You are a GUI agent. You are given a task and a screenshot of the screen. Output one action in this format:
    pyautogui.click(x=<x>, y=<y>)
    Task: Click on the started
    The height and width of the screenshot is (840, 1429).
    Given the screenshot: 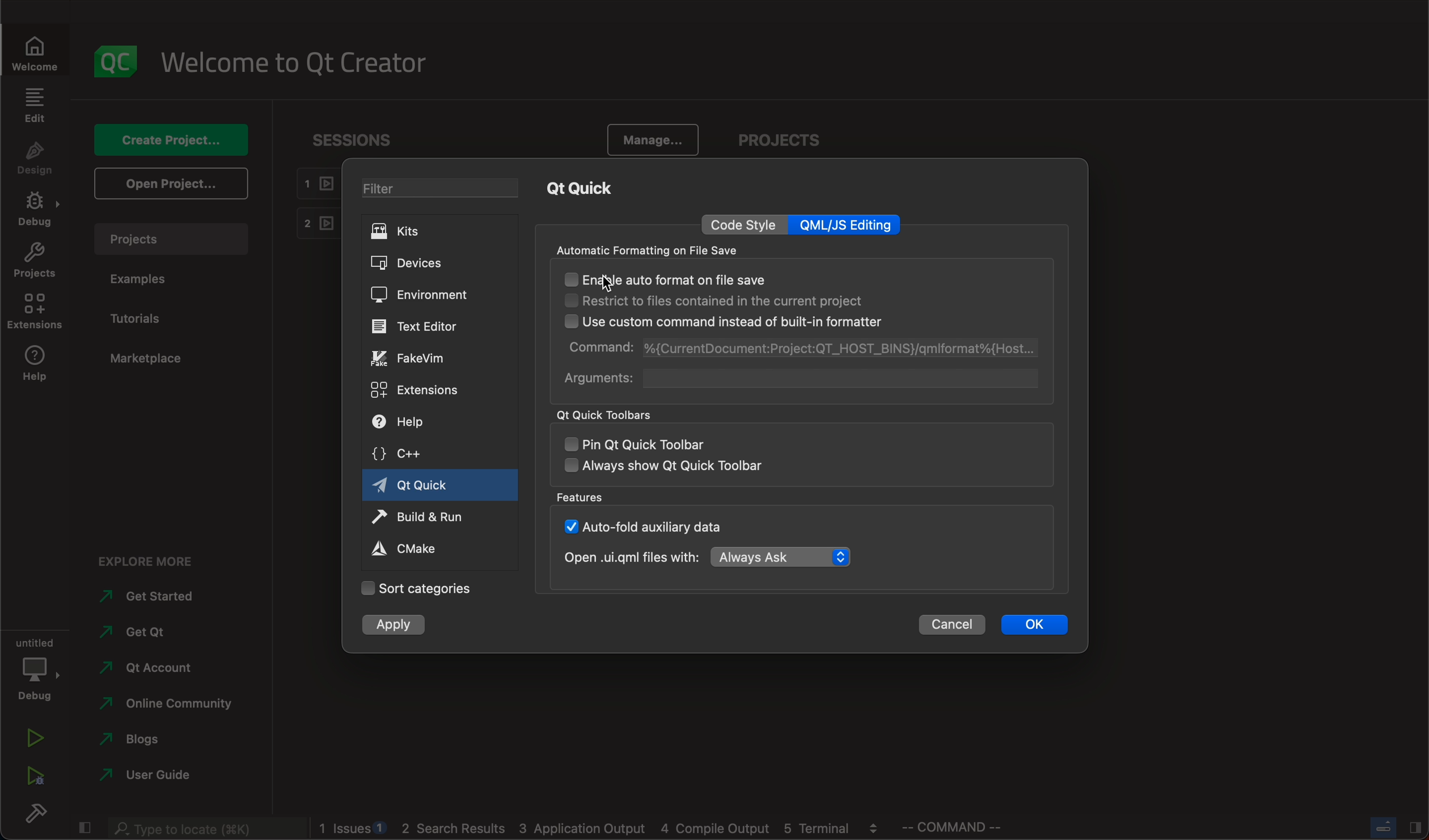 What is the action you would take?
    pyautogui.click(x=150, y=597)
    